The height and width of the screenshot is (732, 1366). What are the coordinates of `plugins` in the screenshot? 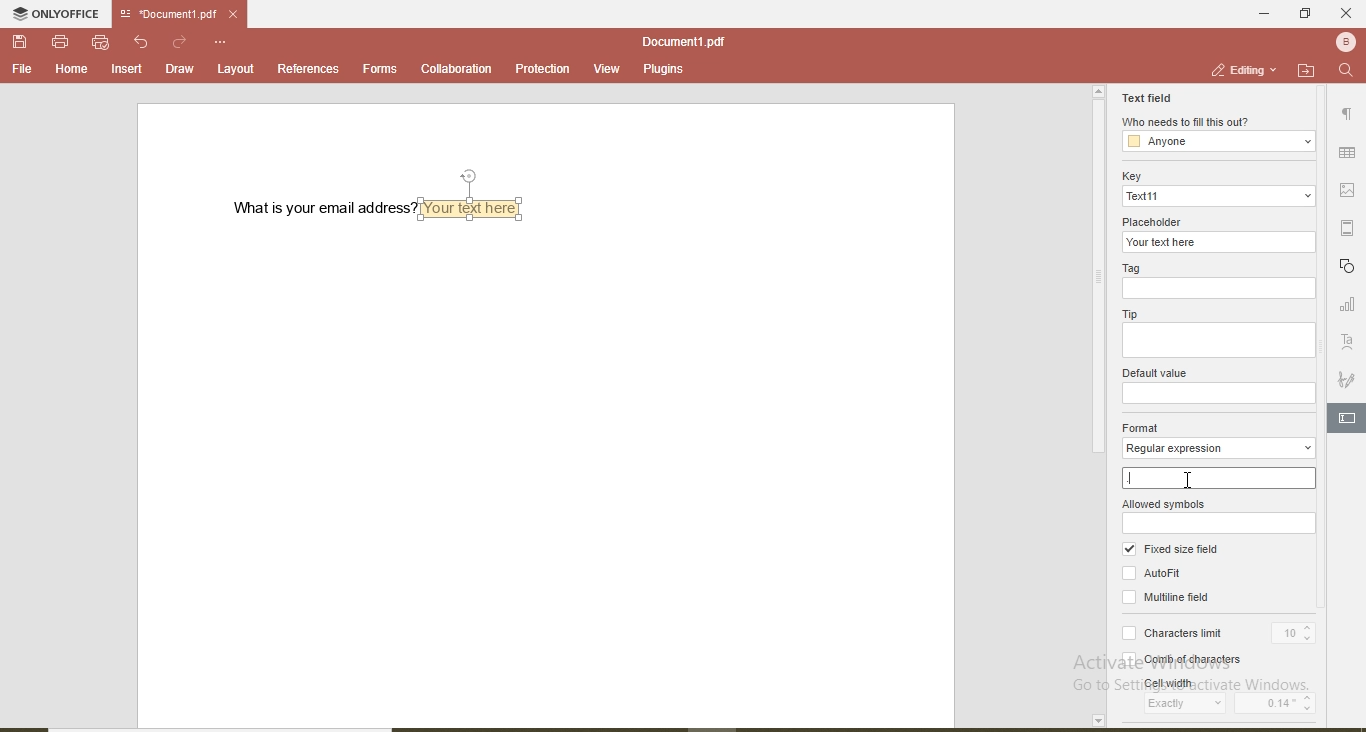 It's located at (662, 71).